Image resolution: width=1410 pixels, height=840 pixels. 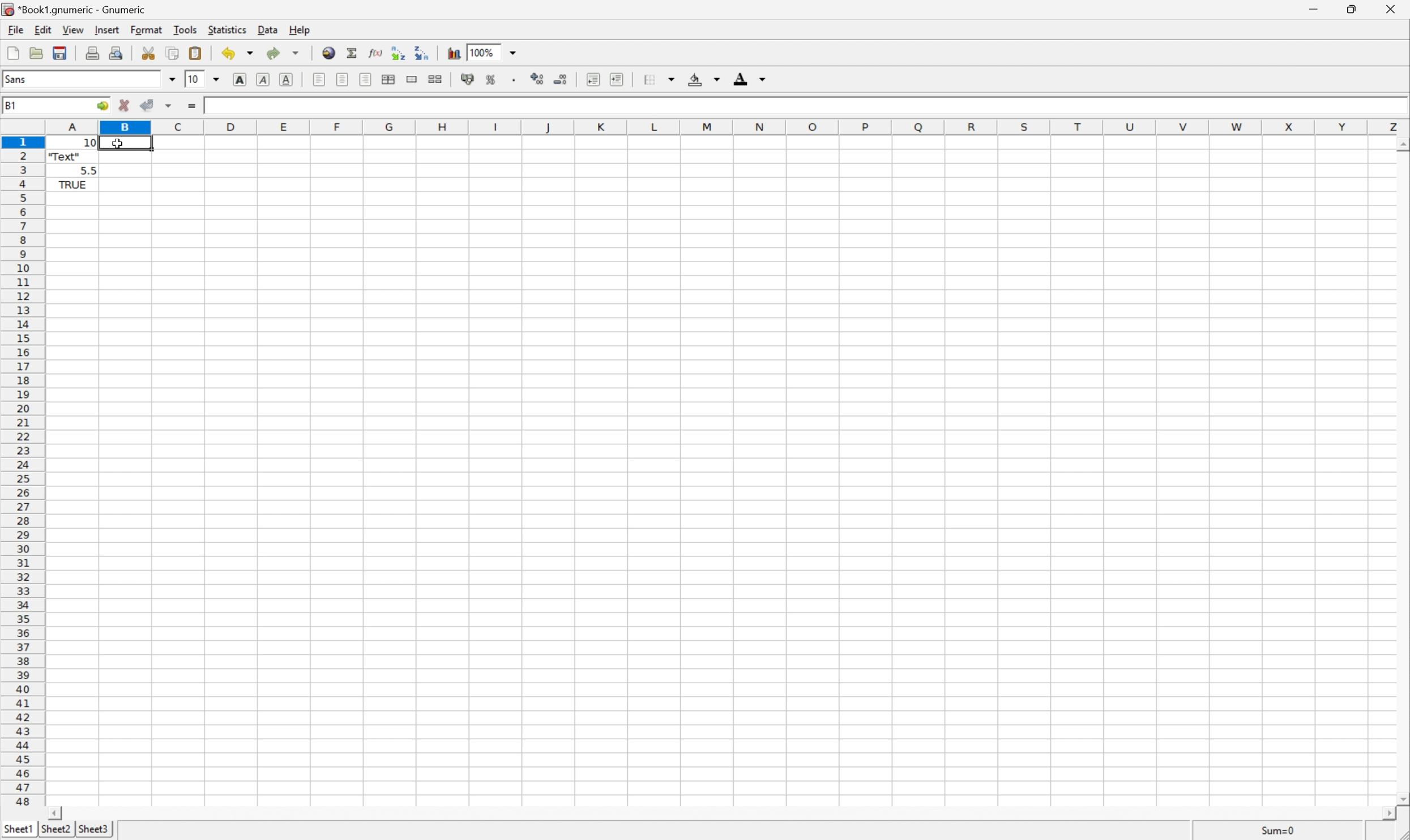 I want to click on Sum=10, so click(x=1280, y=829).